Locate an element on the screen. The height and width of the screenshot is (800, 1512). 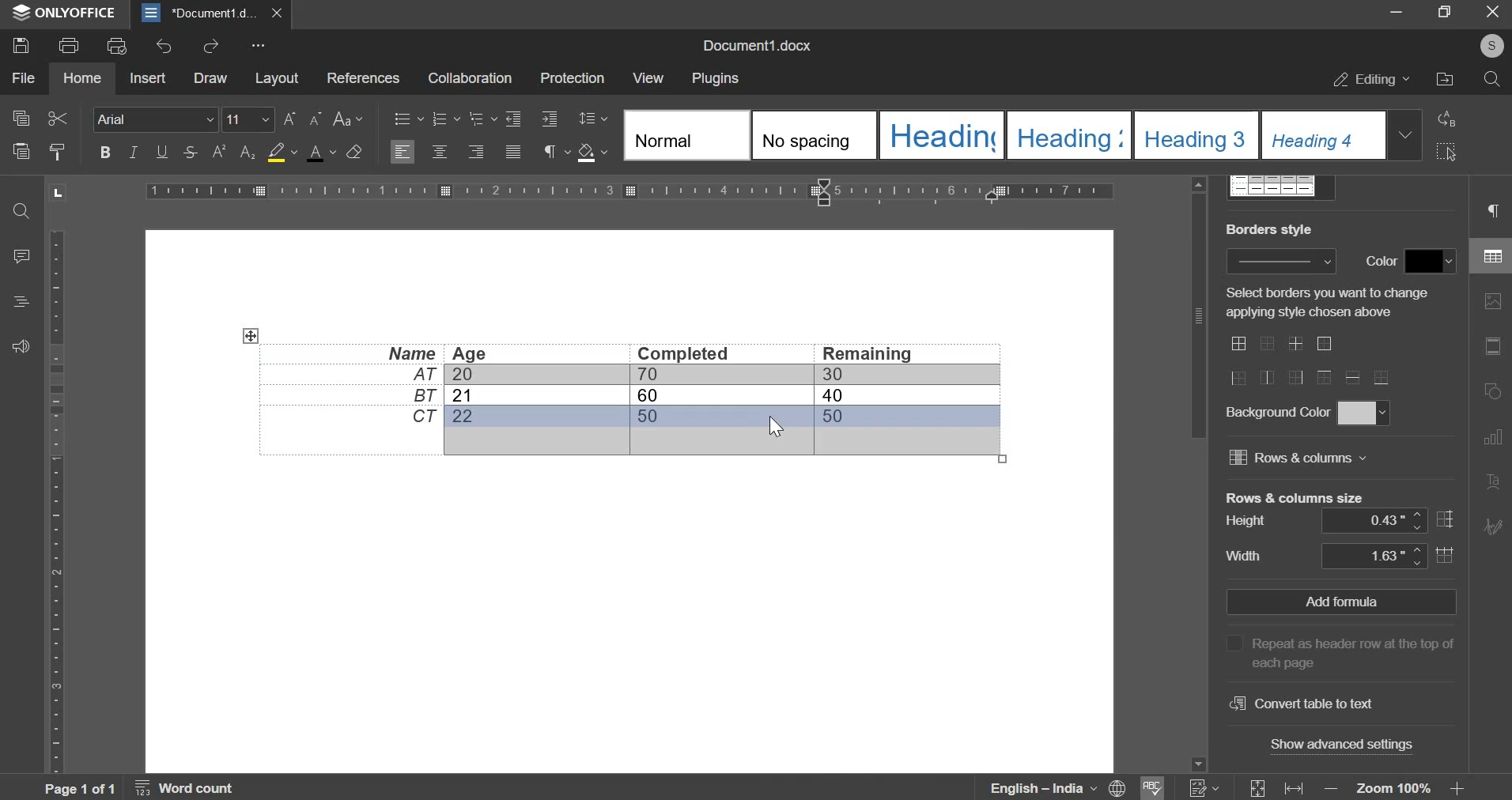
document name is located at coordinates (754, 47).